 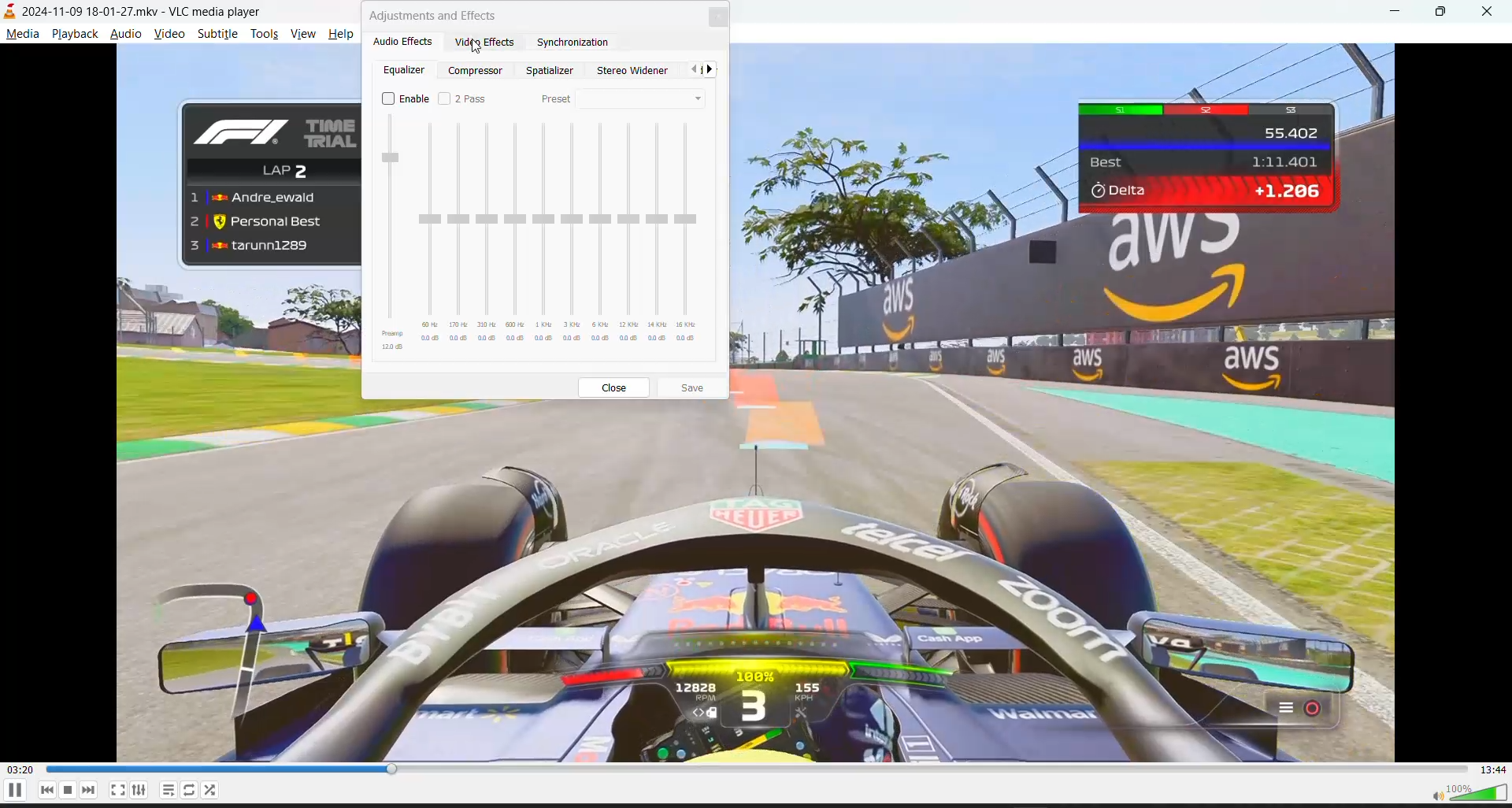 I want to click on slider, so click(x=458, y=230).